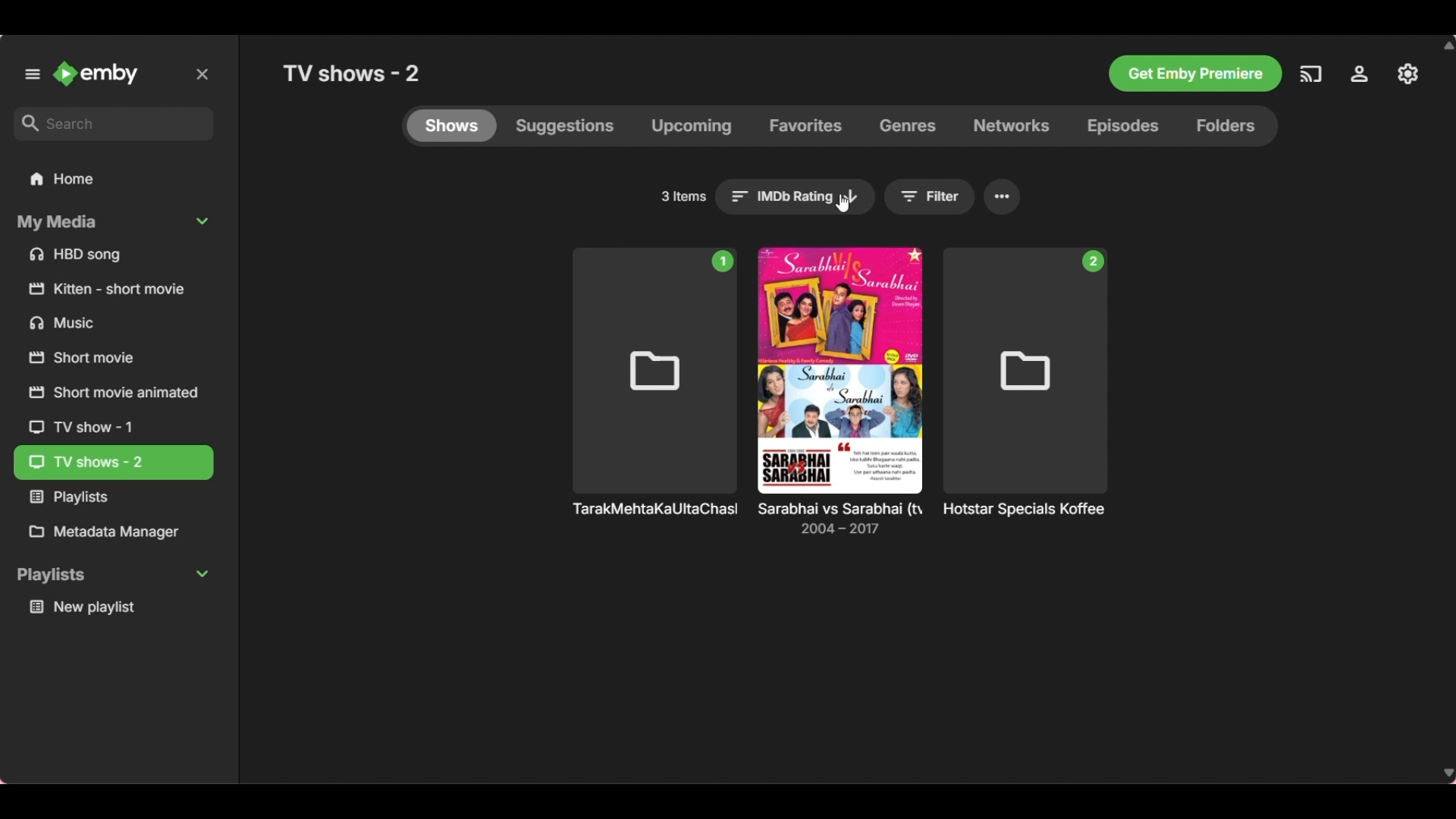 This screenshot has width=1456, height=819. What do you see at coordinates (103, 326) in the screenshot?
I see `` at bounding box center [103, 326].